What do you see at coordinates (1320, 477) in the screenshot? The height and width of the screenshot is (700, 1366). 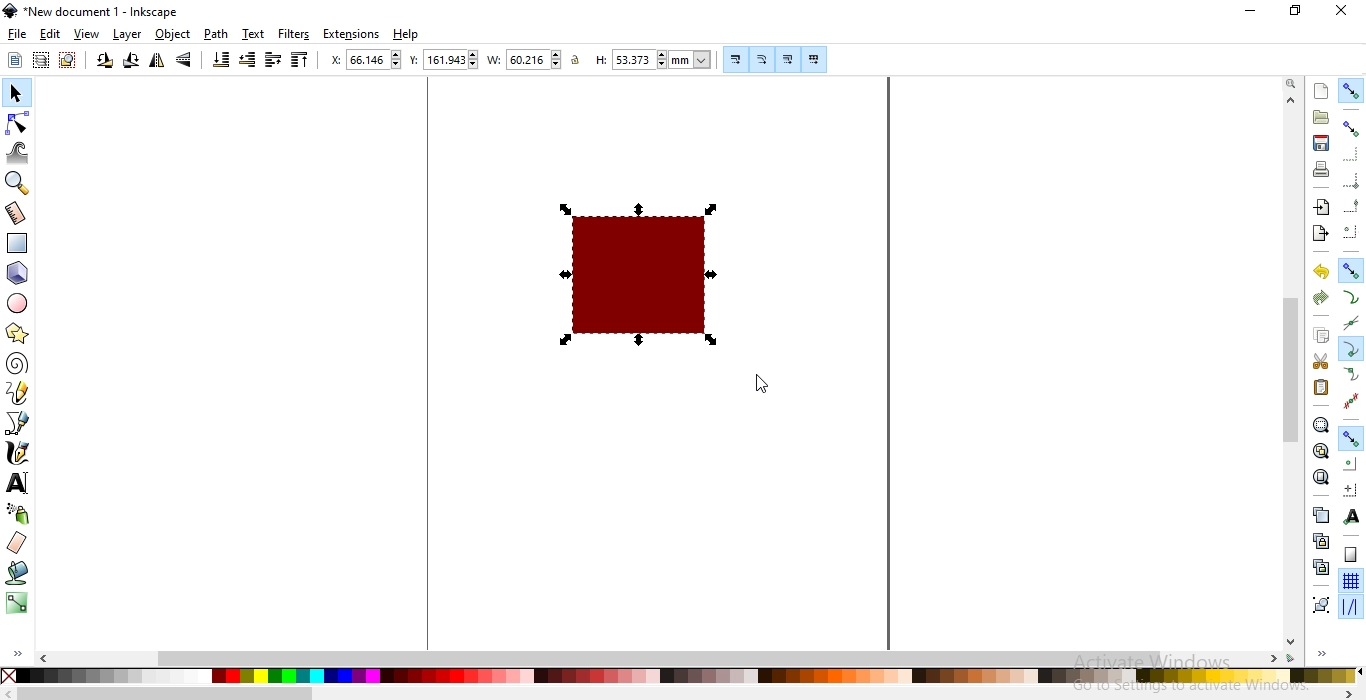 I see `zoom to fit page` at bounding box center [1320, 477].